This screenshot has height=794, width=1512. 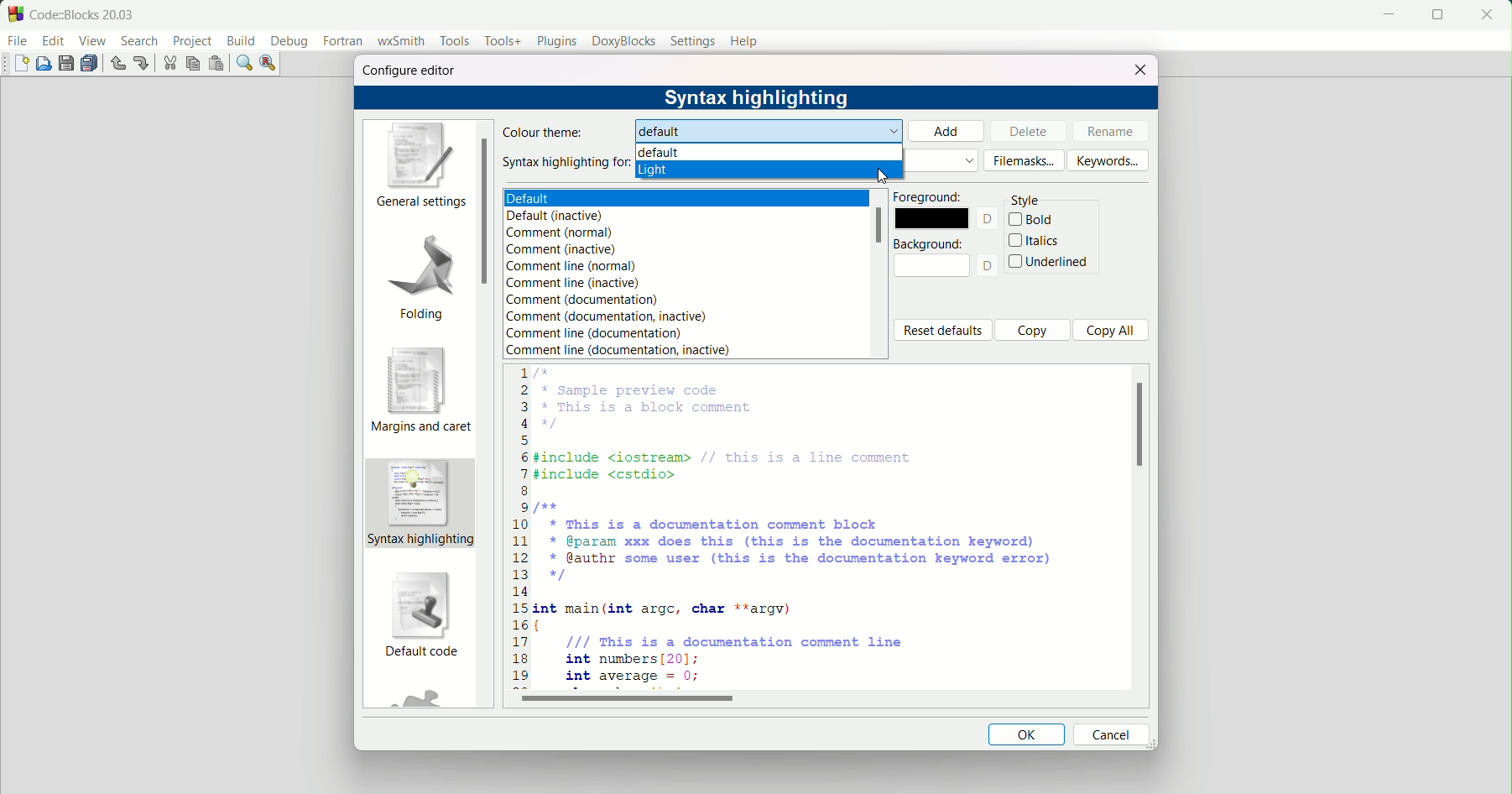 I want to click on numbers, so click(x=518, y=529).